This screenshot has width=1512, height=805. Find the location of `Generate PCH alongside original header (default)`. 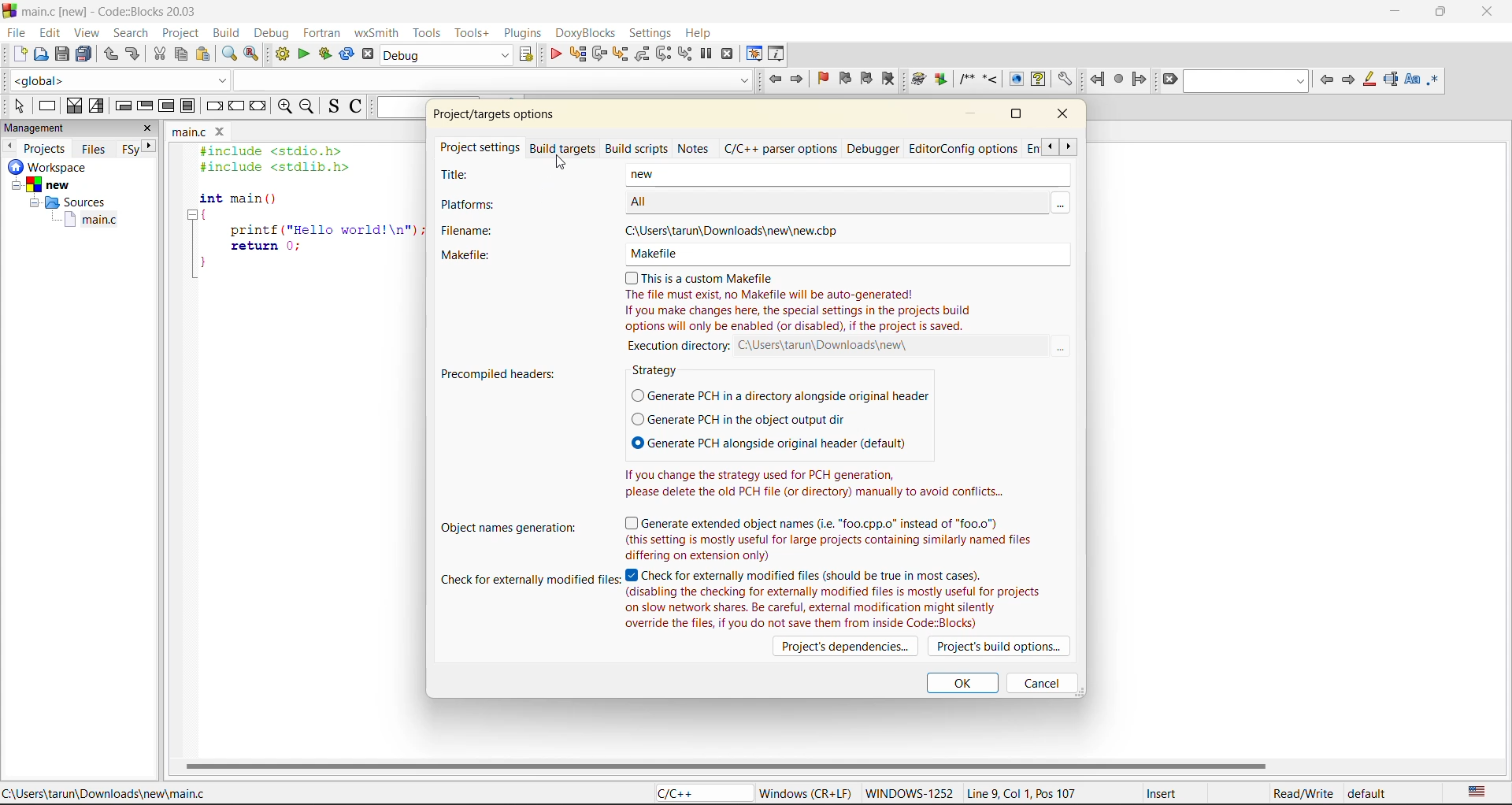

Generate PCH alongside original header (default) is located at coordinates (768, 441).